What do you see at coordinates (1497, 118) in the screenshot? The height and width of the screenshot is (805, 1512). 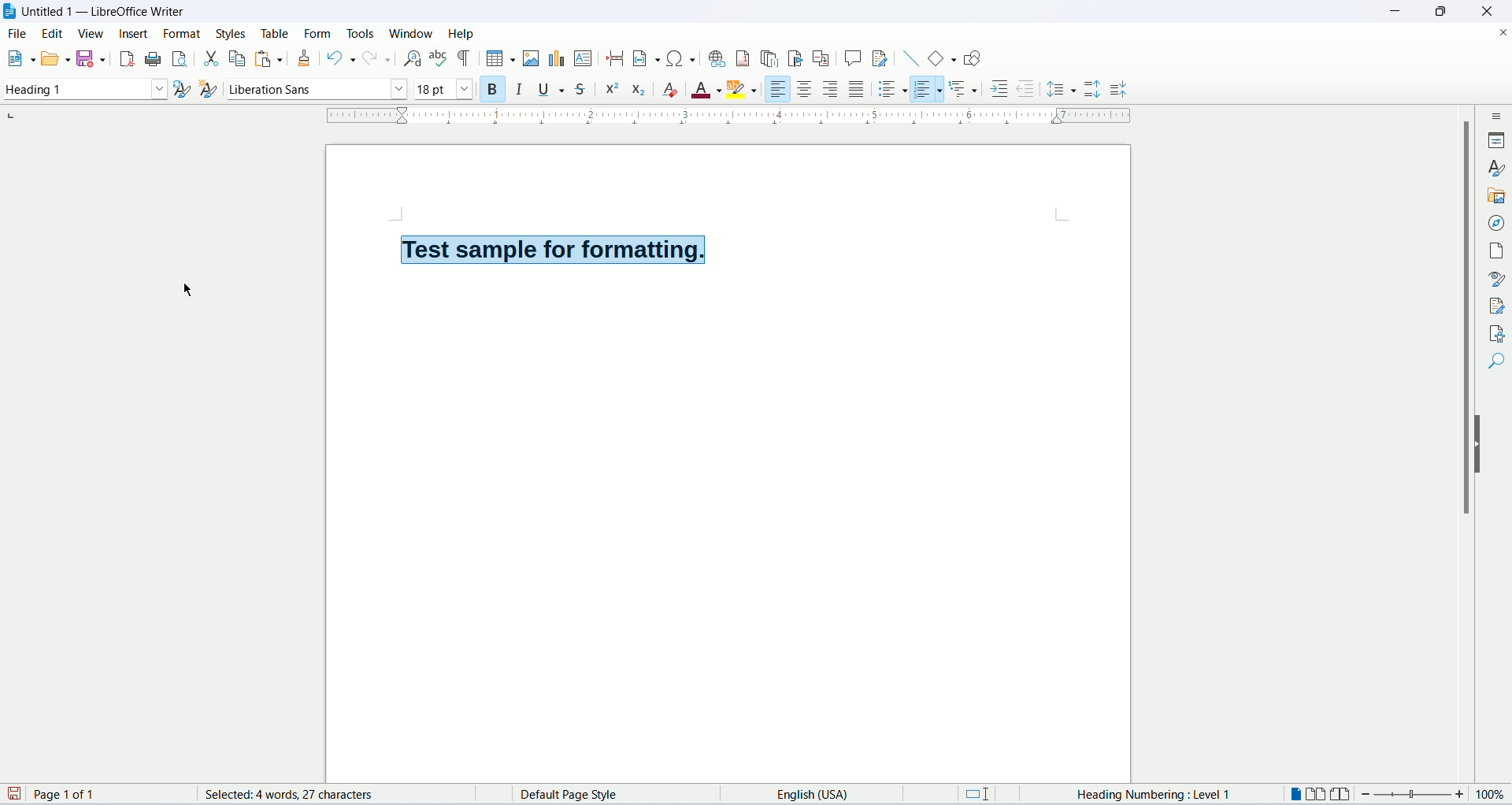 I see `sidebar` at bounding box center [1497, 118].